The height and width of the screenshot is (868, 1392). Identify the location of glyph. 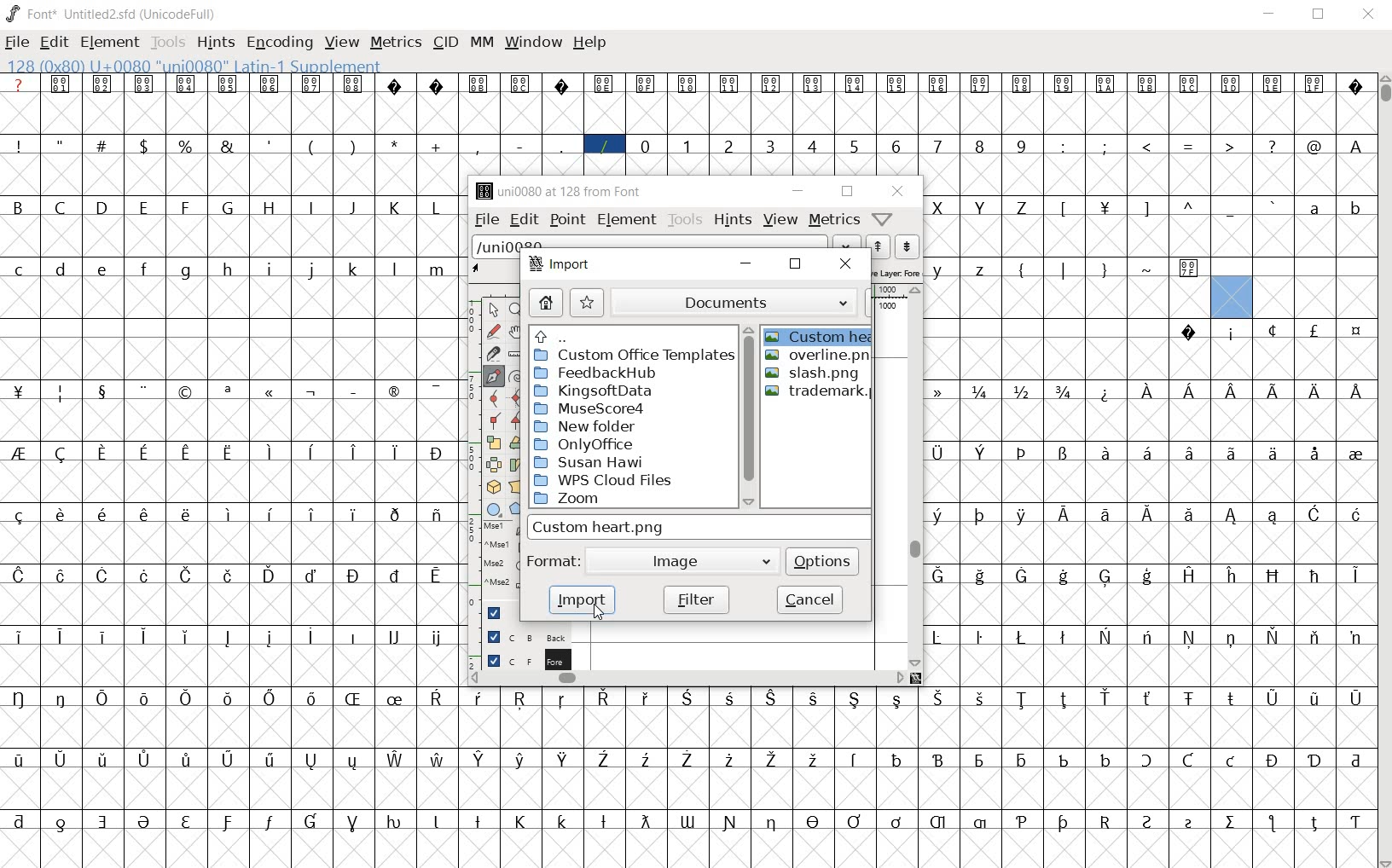
(145, 699).